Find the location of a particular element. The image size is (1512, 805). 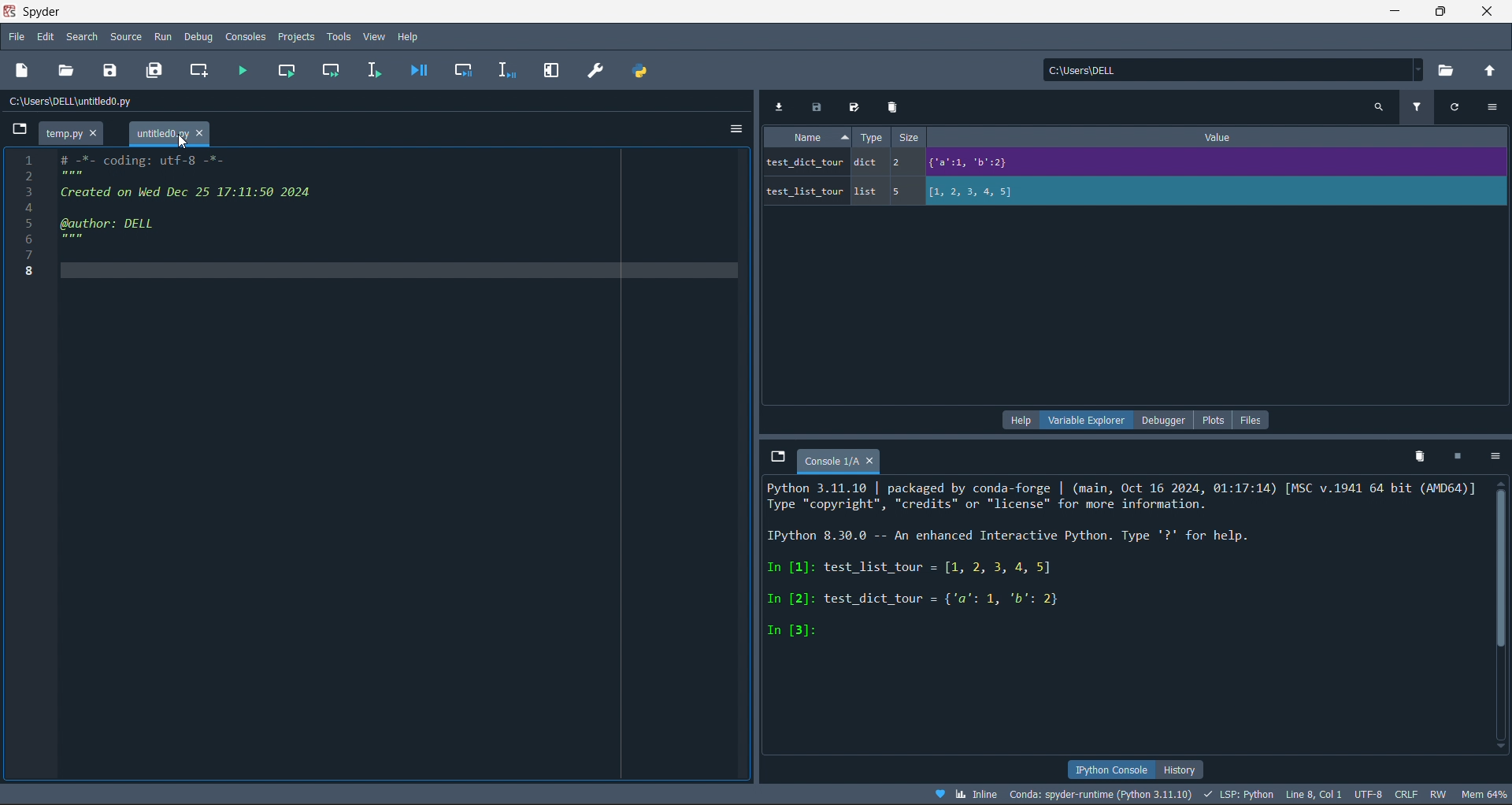

file is located at coordinates (15, 38).